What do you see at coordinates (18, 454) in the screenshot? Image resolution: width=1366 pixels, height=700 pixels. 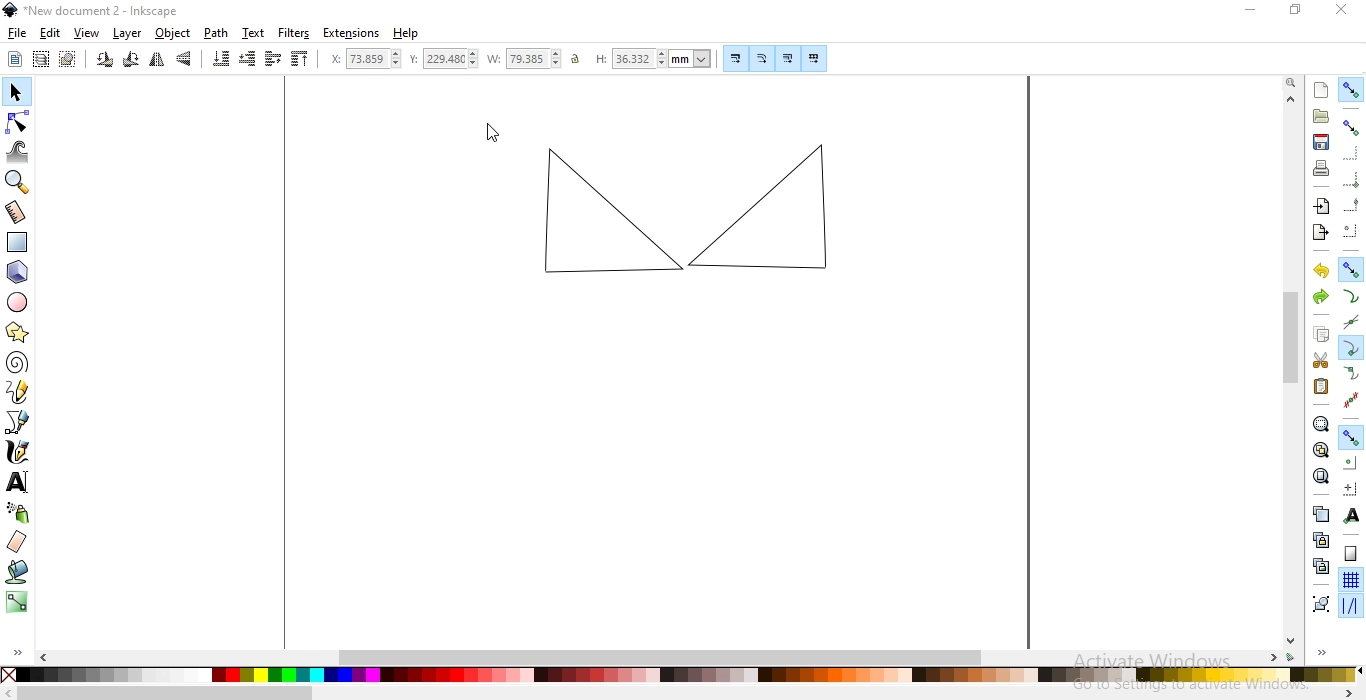 I see `draw calligraphic or brush strokes` at bounding box center [18, 454].